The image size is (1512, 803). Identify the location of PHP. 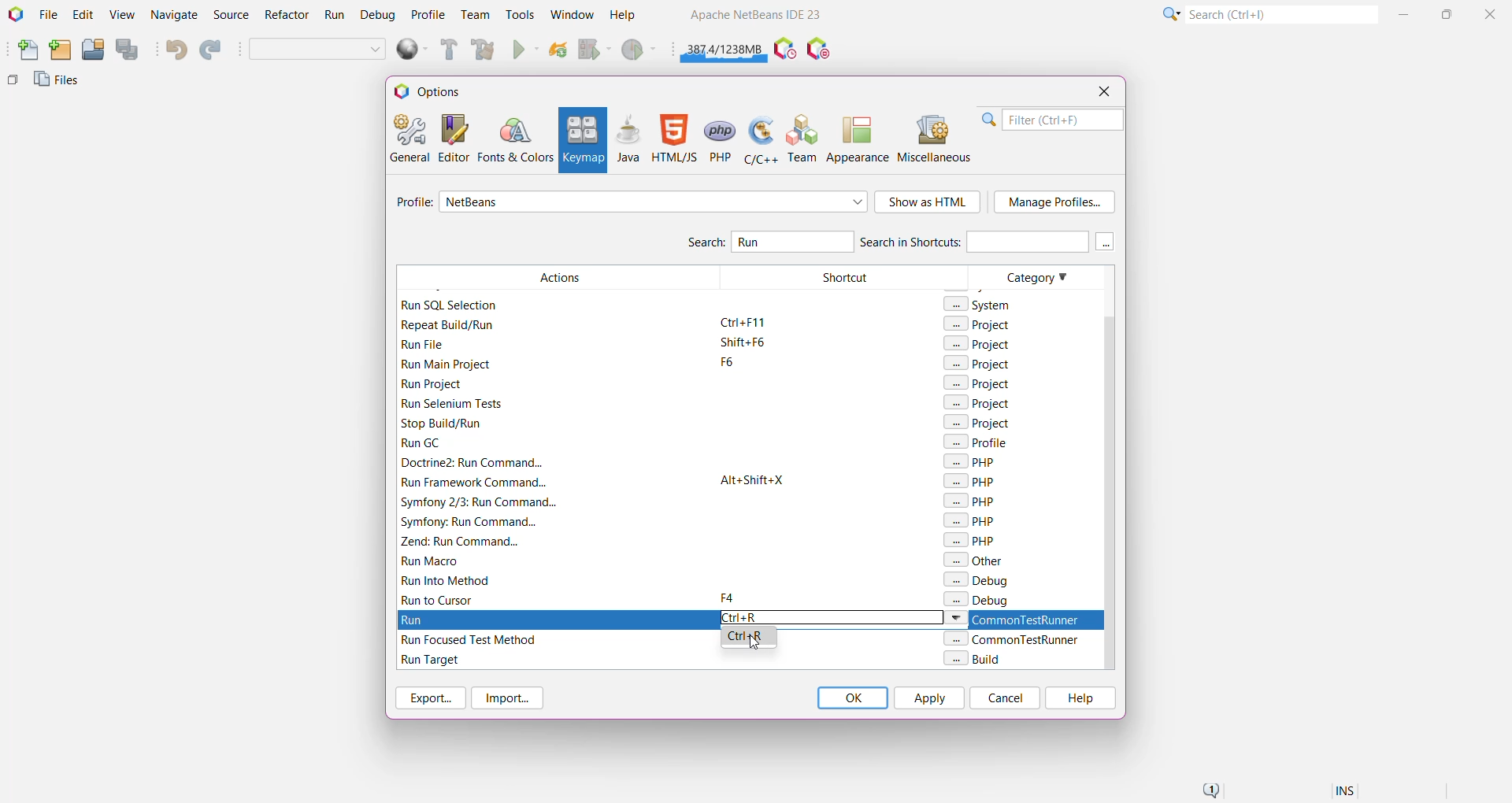
(721, 139).